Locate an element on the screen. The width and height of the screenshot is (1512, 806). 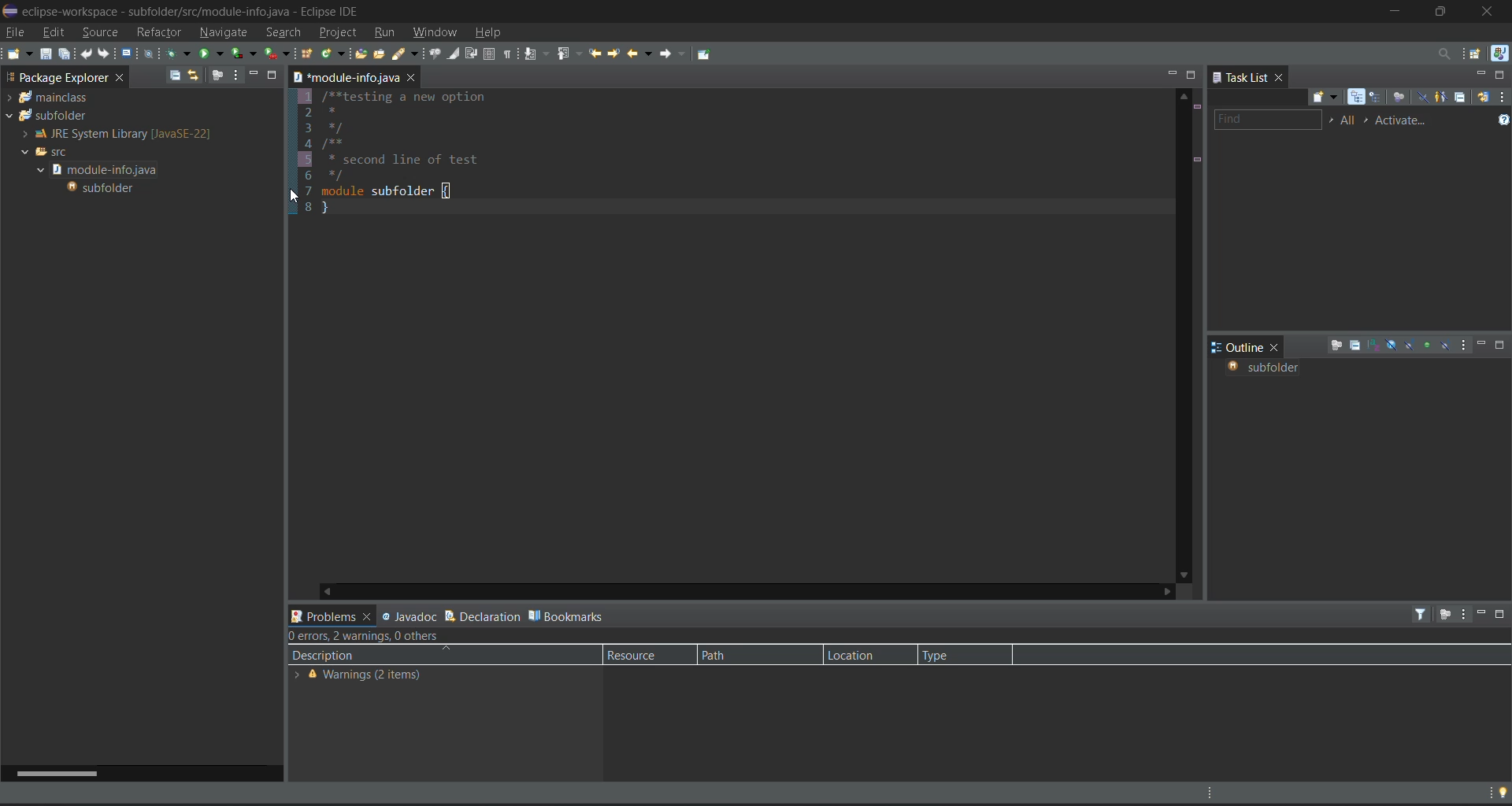
focus on active task is located at coordinates (1443, 616).